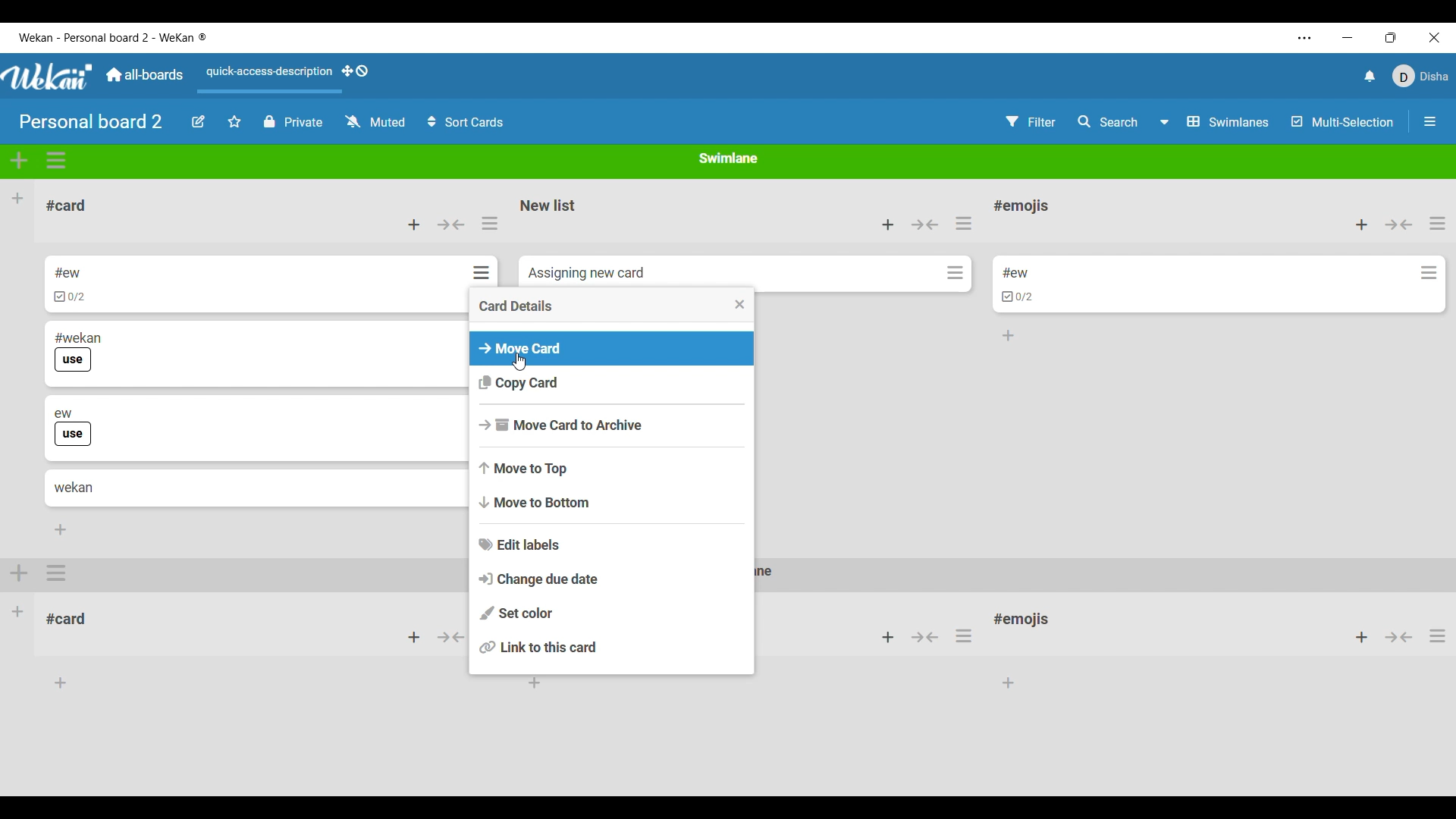 The width and height of the screenshot is (1456, 819). What do you see at coordinates (199, 121) in the screenshot?
I see `Edit board` at bounding box center [199, 121].